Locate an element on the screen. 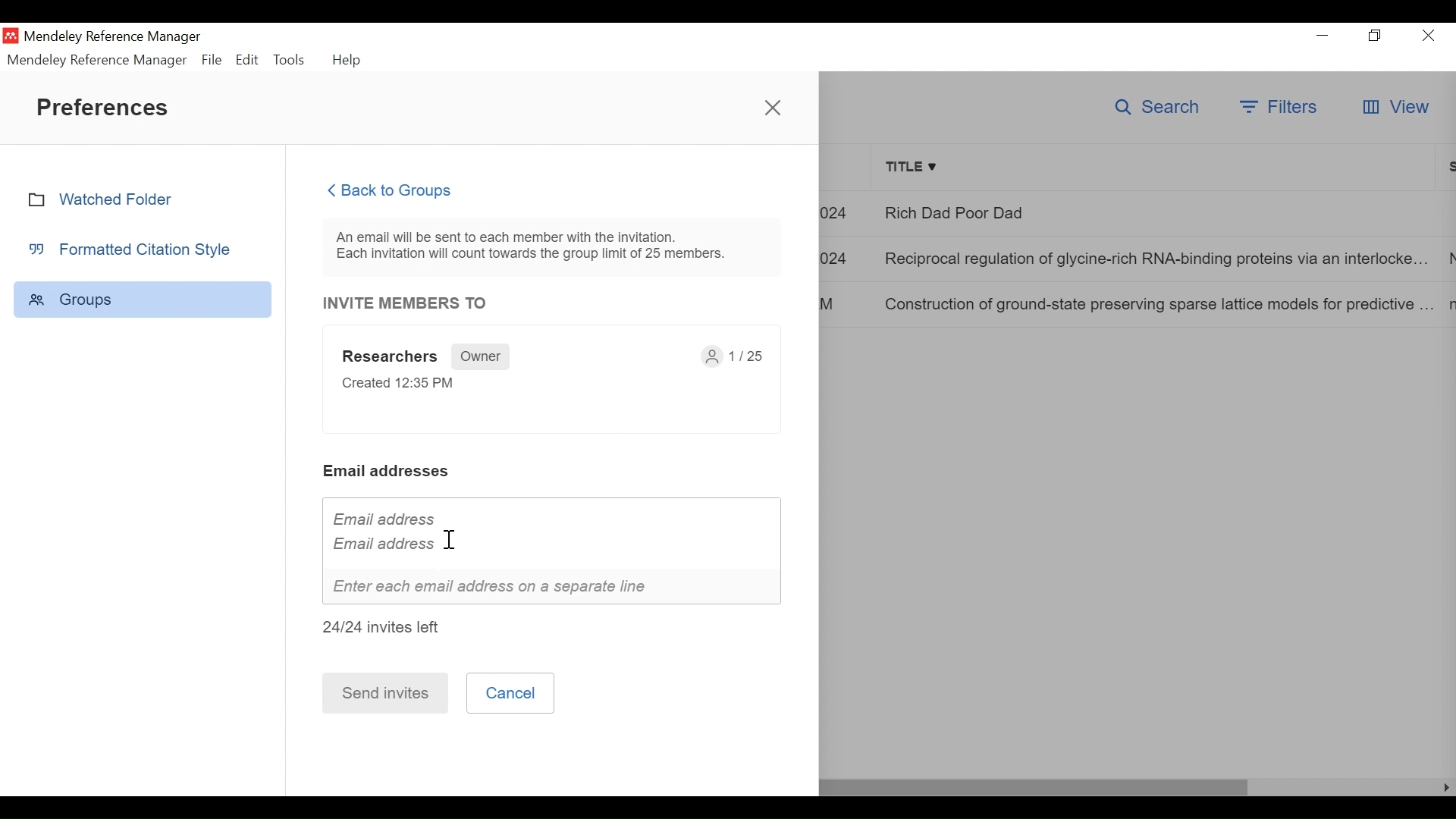  Mendeley Reference Manager is located at coordinates (112, 36).